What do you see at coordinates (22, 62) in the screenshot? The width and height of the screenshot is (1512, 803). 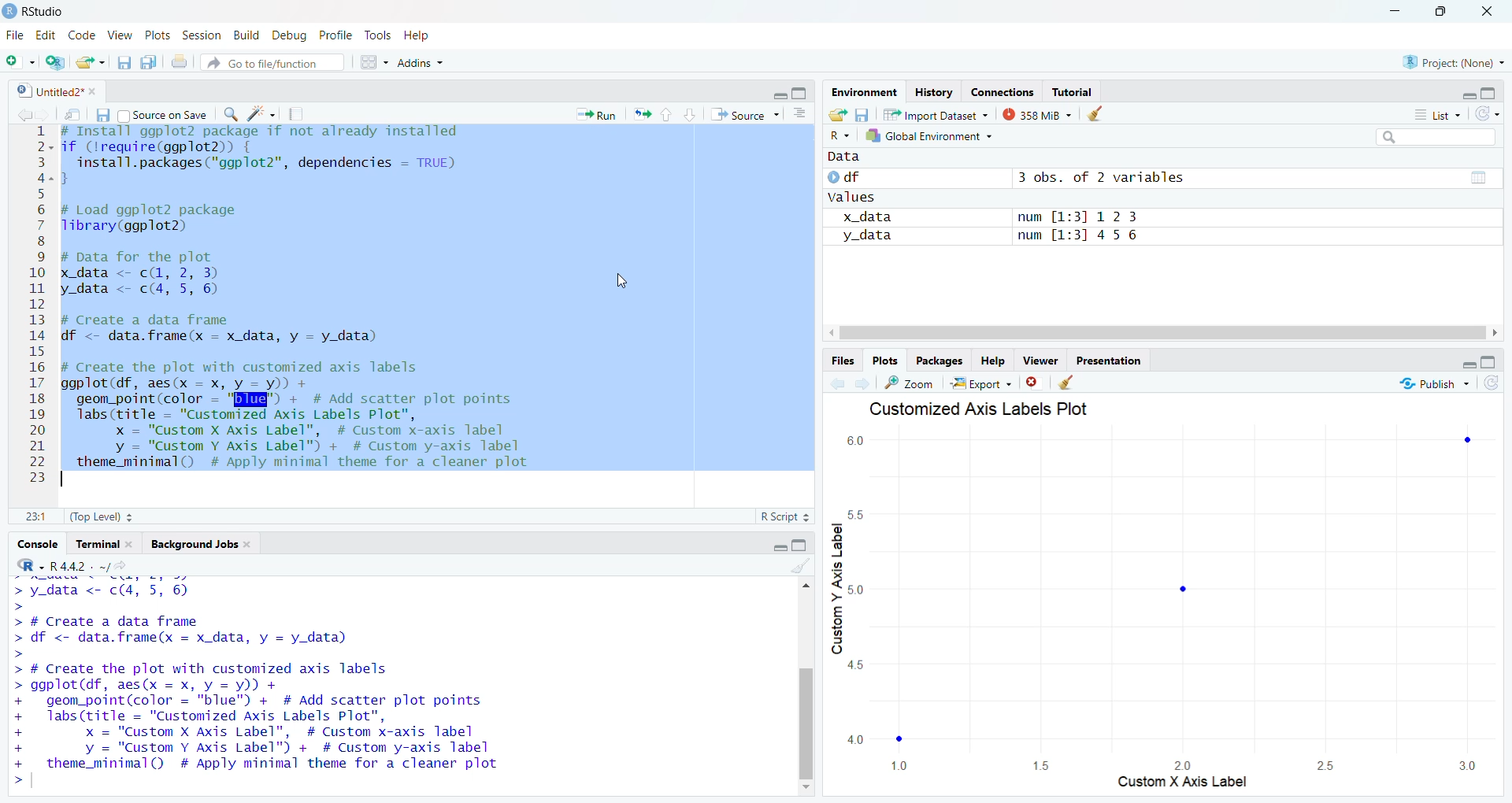 I see `add` at bounding box center [22, 62].